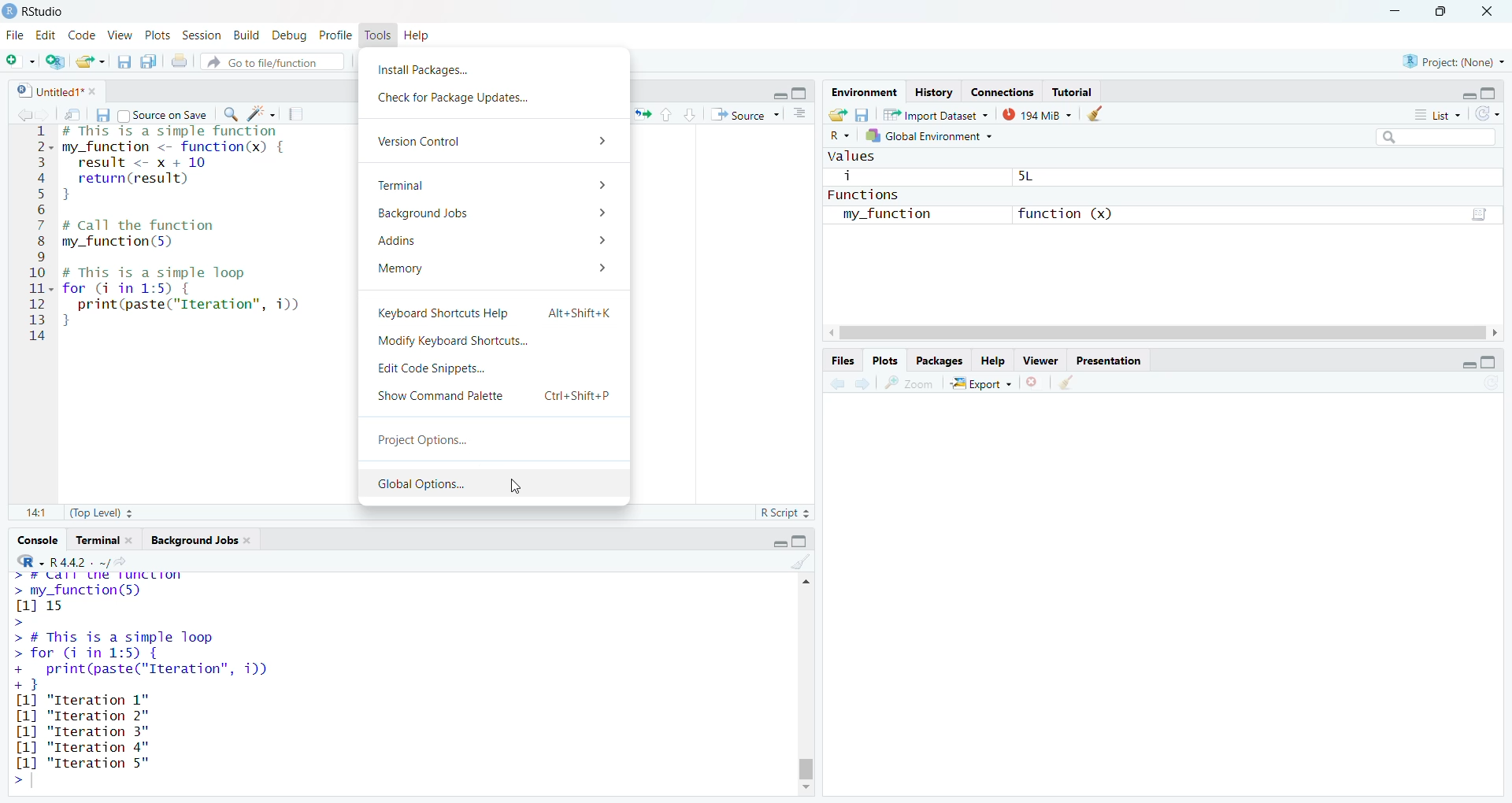 The width and height of the screenshot is (1512, 803). What do you see at coordinates (124, 61) in the screenshot?
I see `save current document` at bounding box center [124, 61].